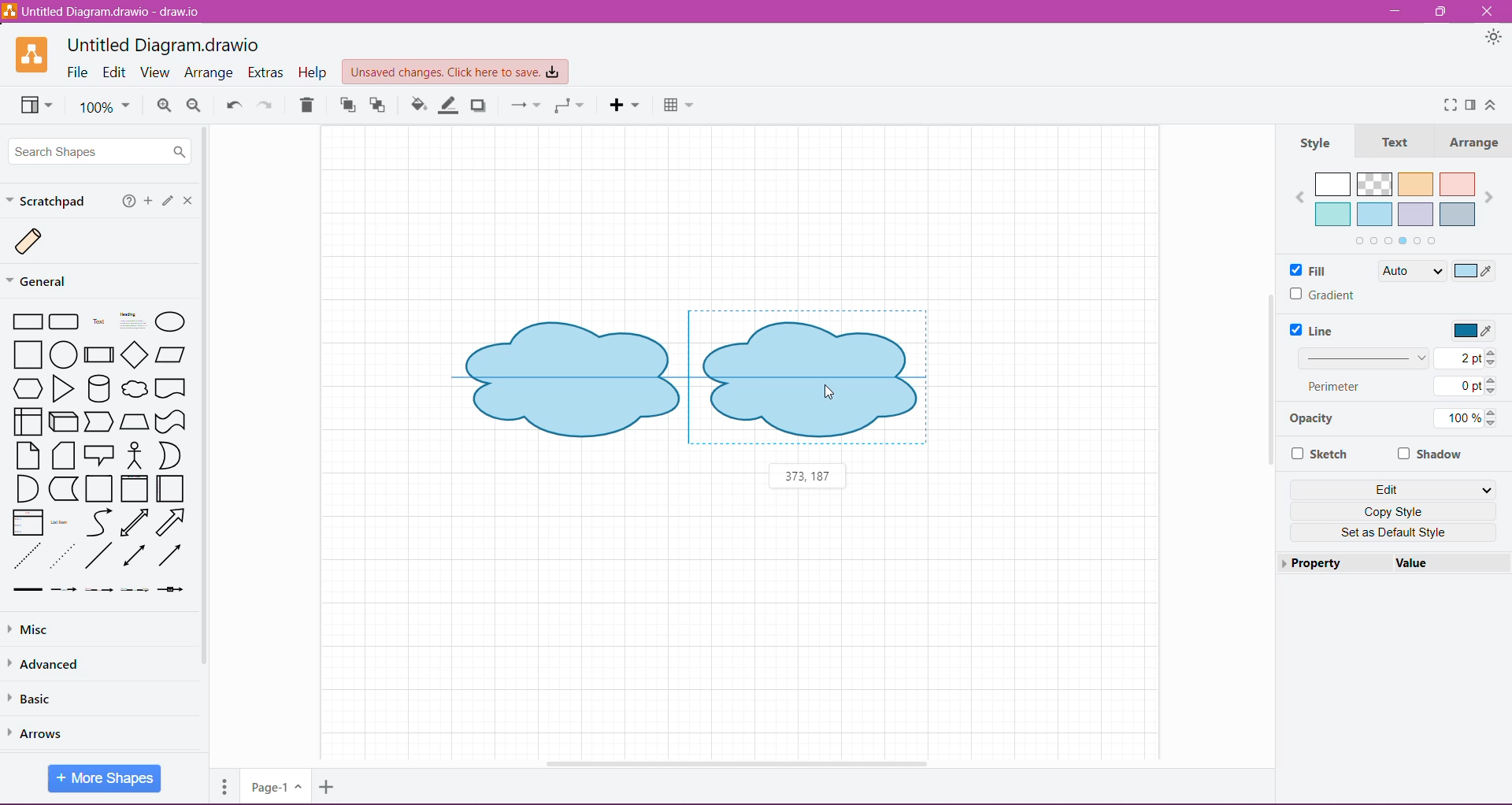 Image resolution: width=1512 pixels, height=805 pixels. Describe the element at coordinates (678, 106) in the screenshot. I see `Table` at that location.